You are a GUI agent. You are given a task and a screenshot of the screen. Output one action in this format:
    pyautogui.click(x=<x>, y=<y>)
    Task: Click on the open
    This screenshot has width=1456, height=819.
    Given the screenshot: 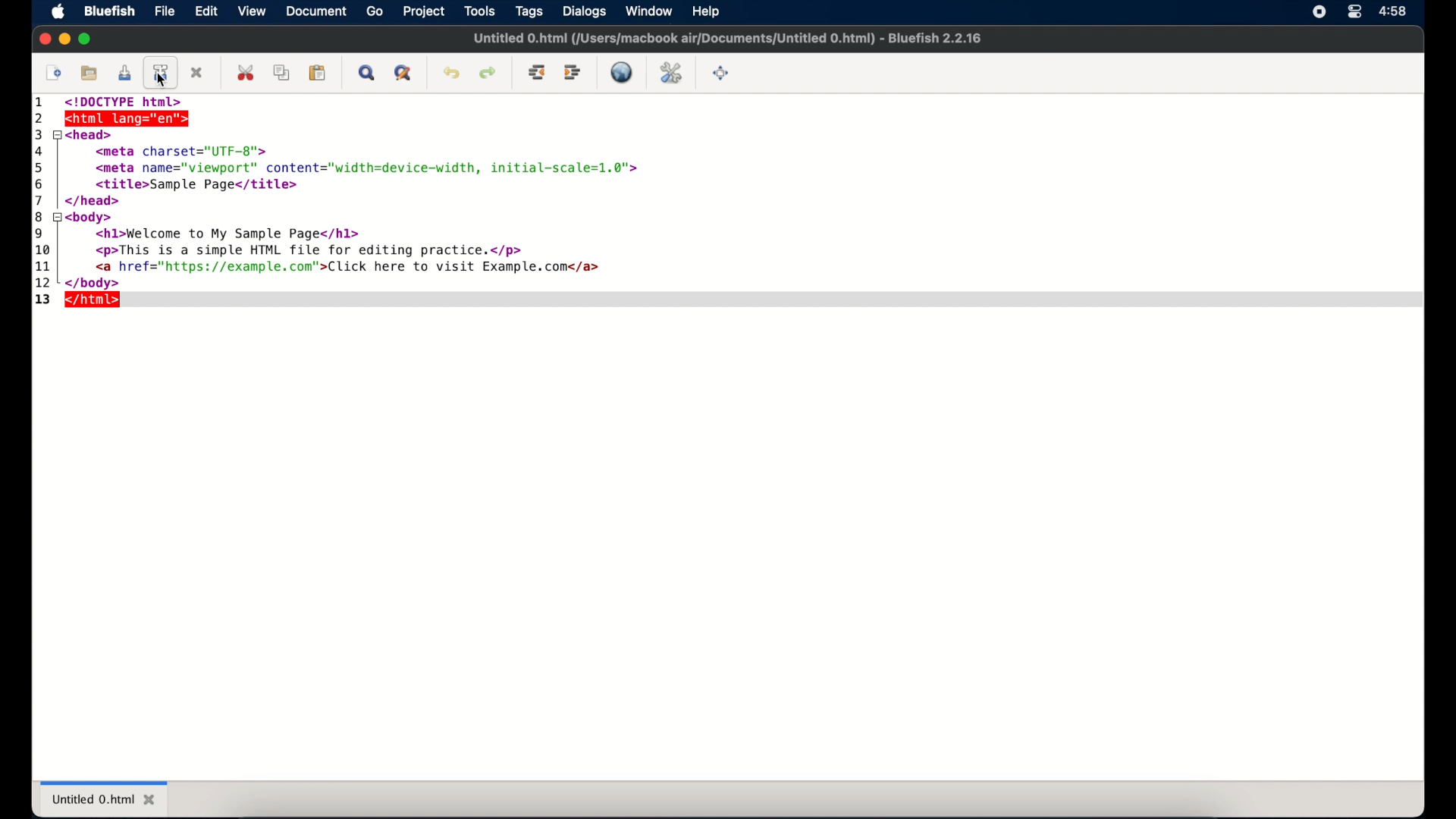 What is the action you would take?
    pyautogui.click(x=90, y=74)
    